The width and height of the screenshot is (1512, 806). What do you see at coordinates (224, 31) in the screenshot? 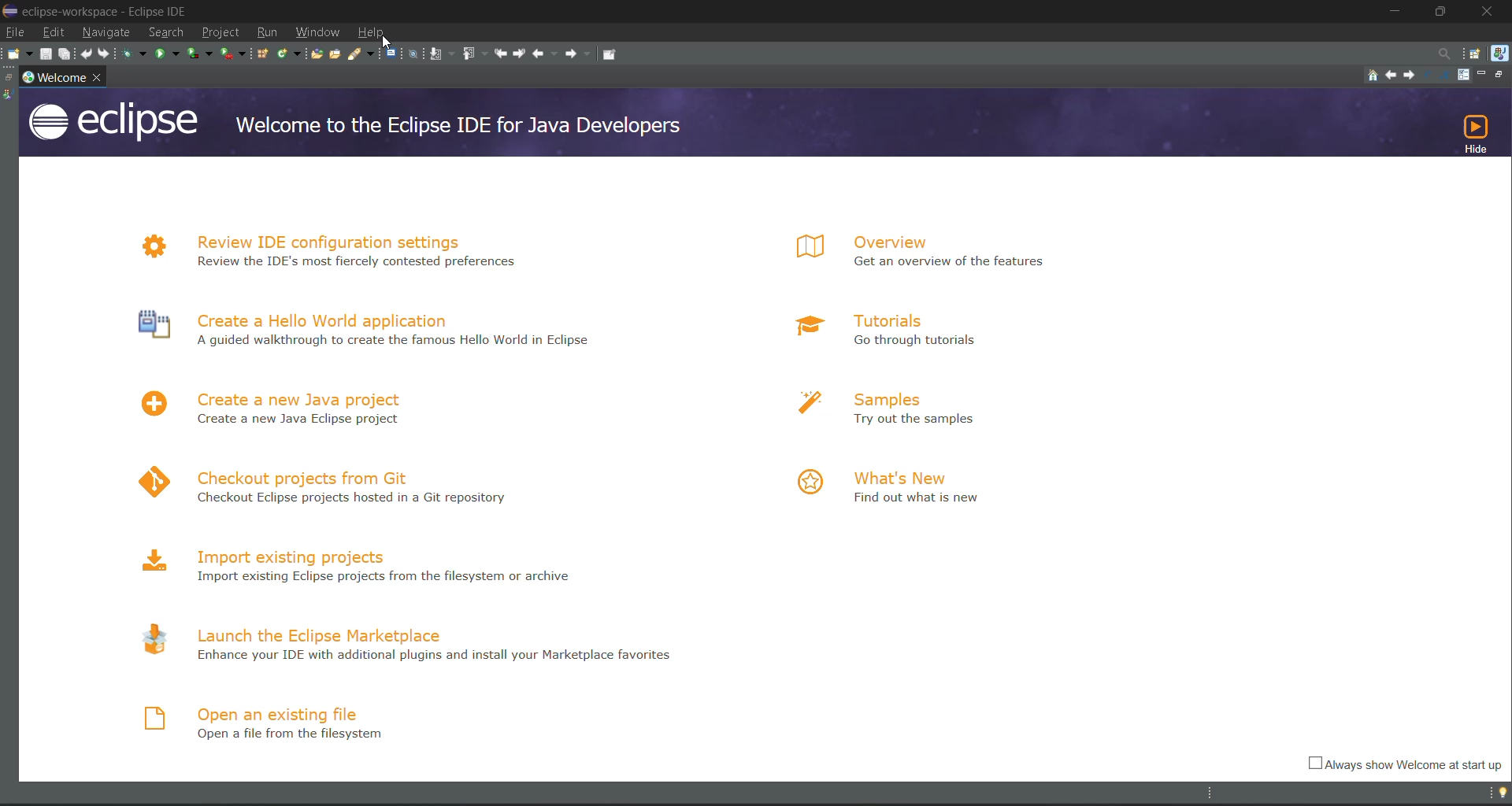
I see `project` at bounding box center [224, 31].